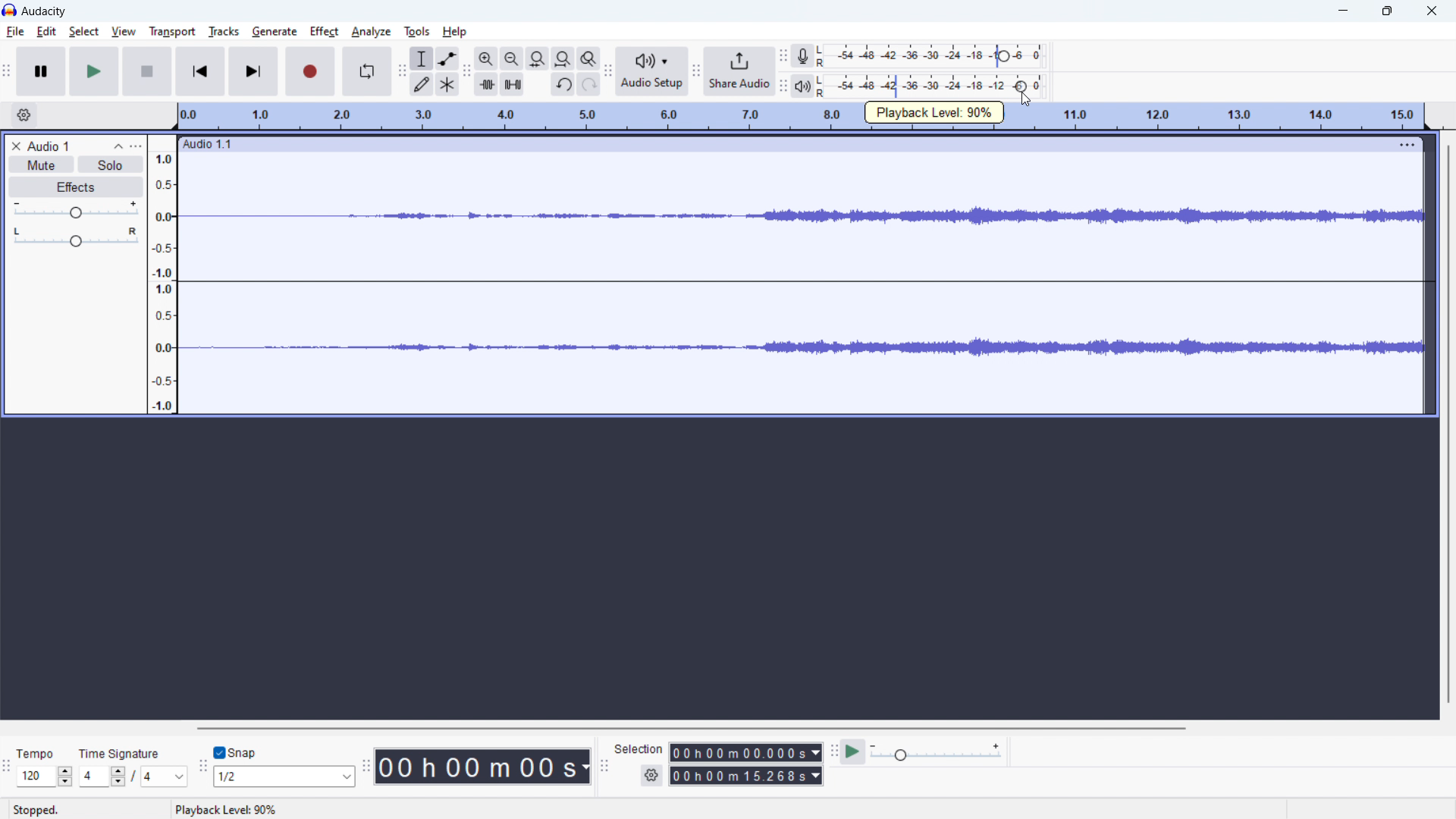  Describe the element at coordinates (466, 71) in the screenshot. I see `edit toolbar` at that location.